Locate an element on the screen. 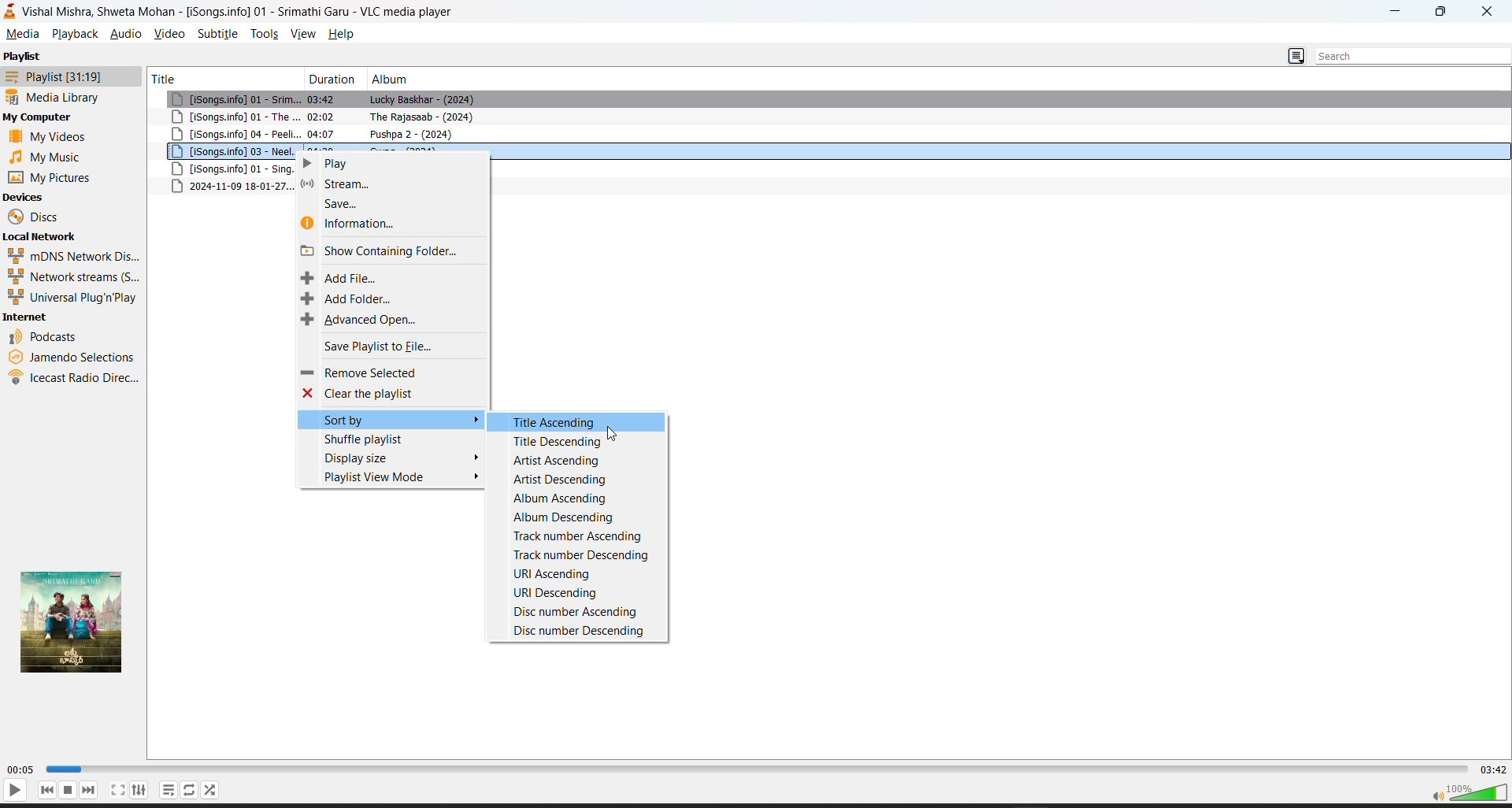 The height and width of the screenshot is (808, 1512). podcast is located at coordinates (52, 336).